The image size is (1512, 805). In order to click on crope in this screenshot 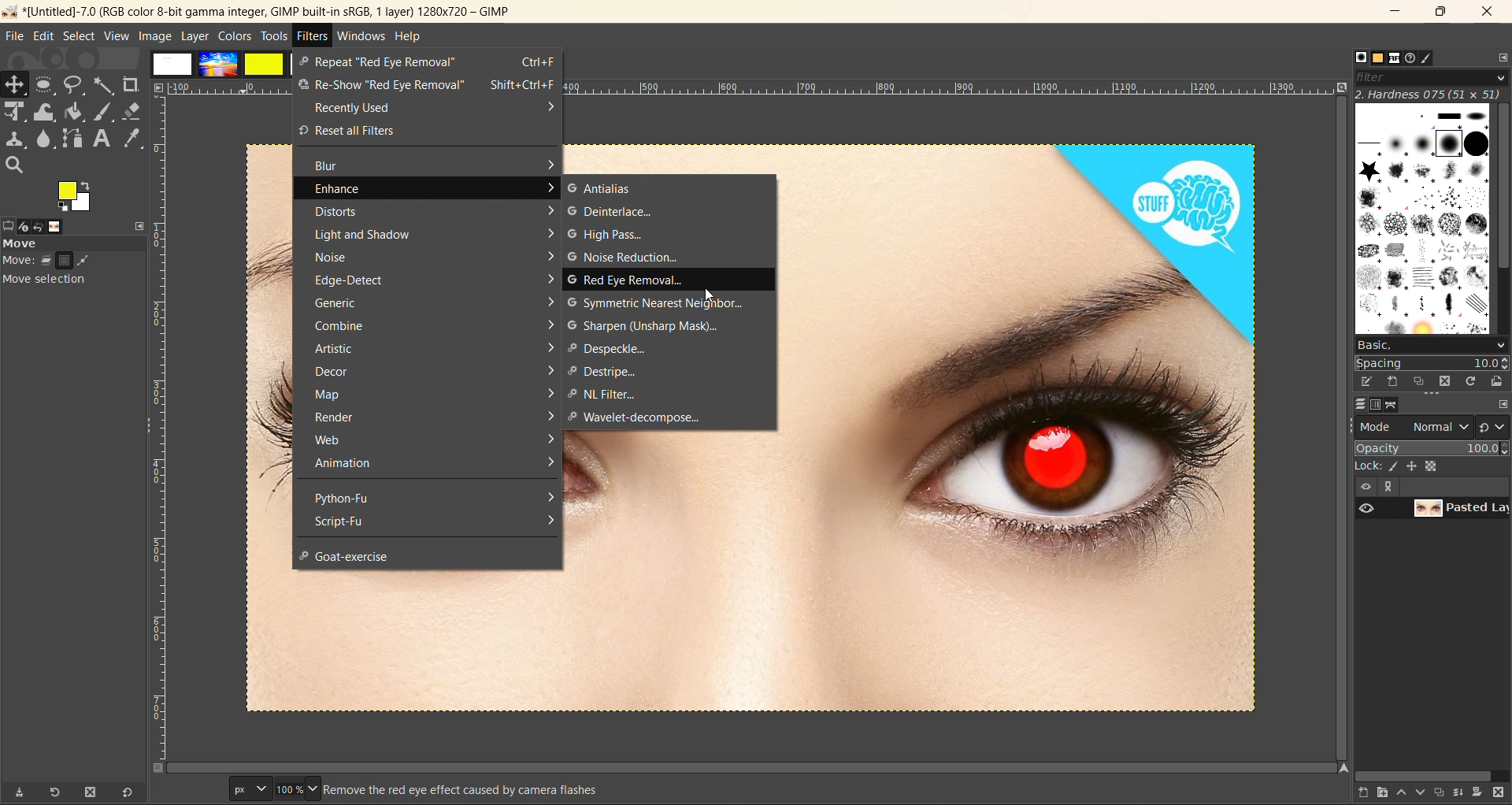, I will do `click(129, 84)`.